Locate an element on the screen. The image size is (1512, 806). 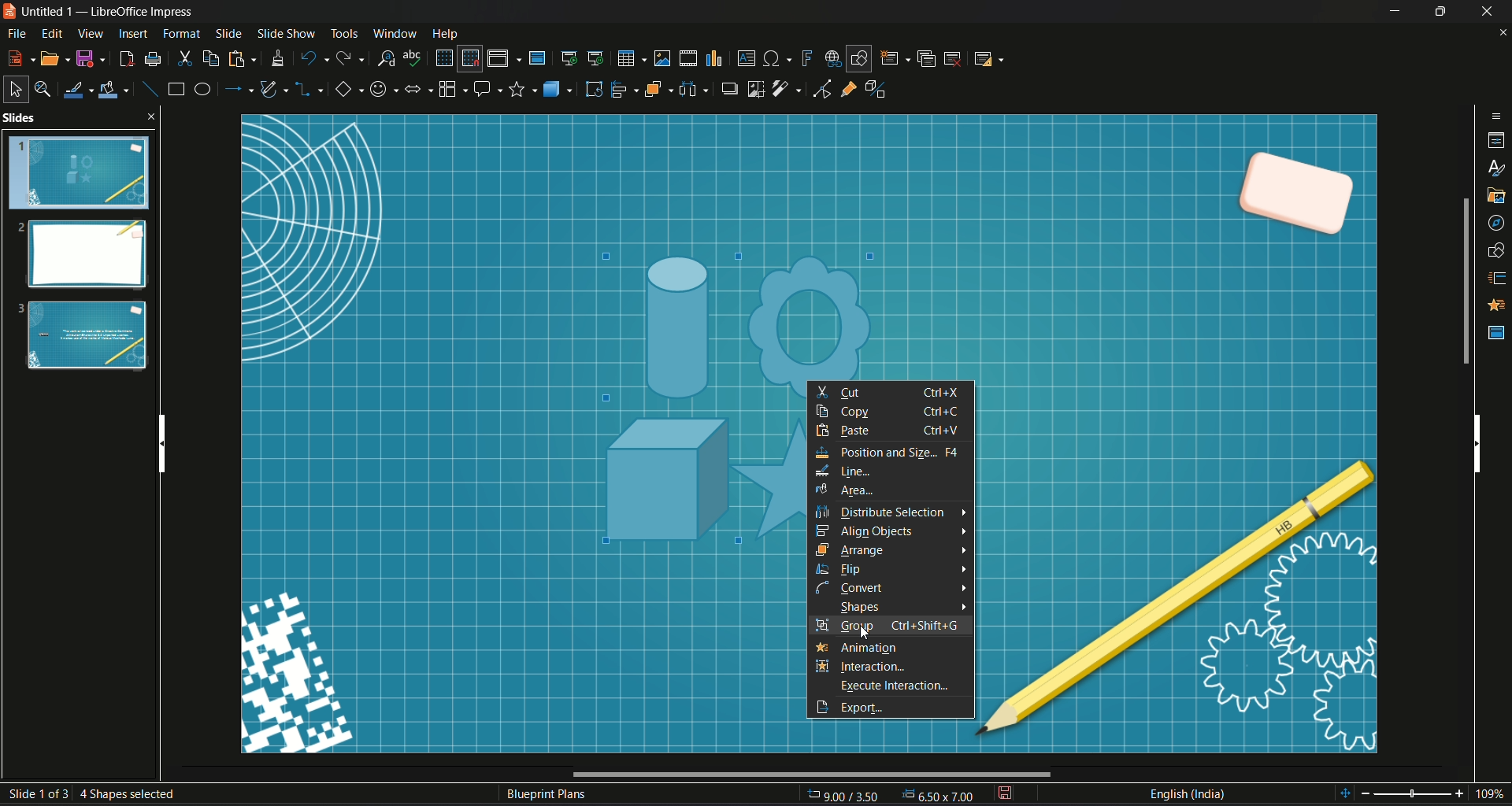
Scroll bar is located at coordinates (1464, 281).